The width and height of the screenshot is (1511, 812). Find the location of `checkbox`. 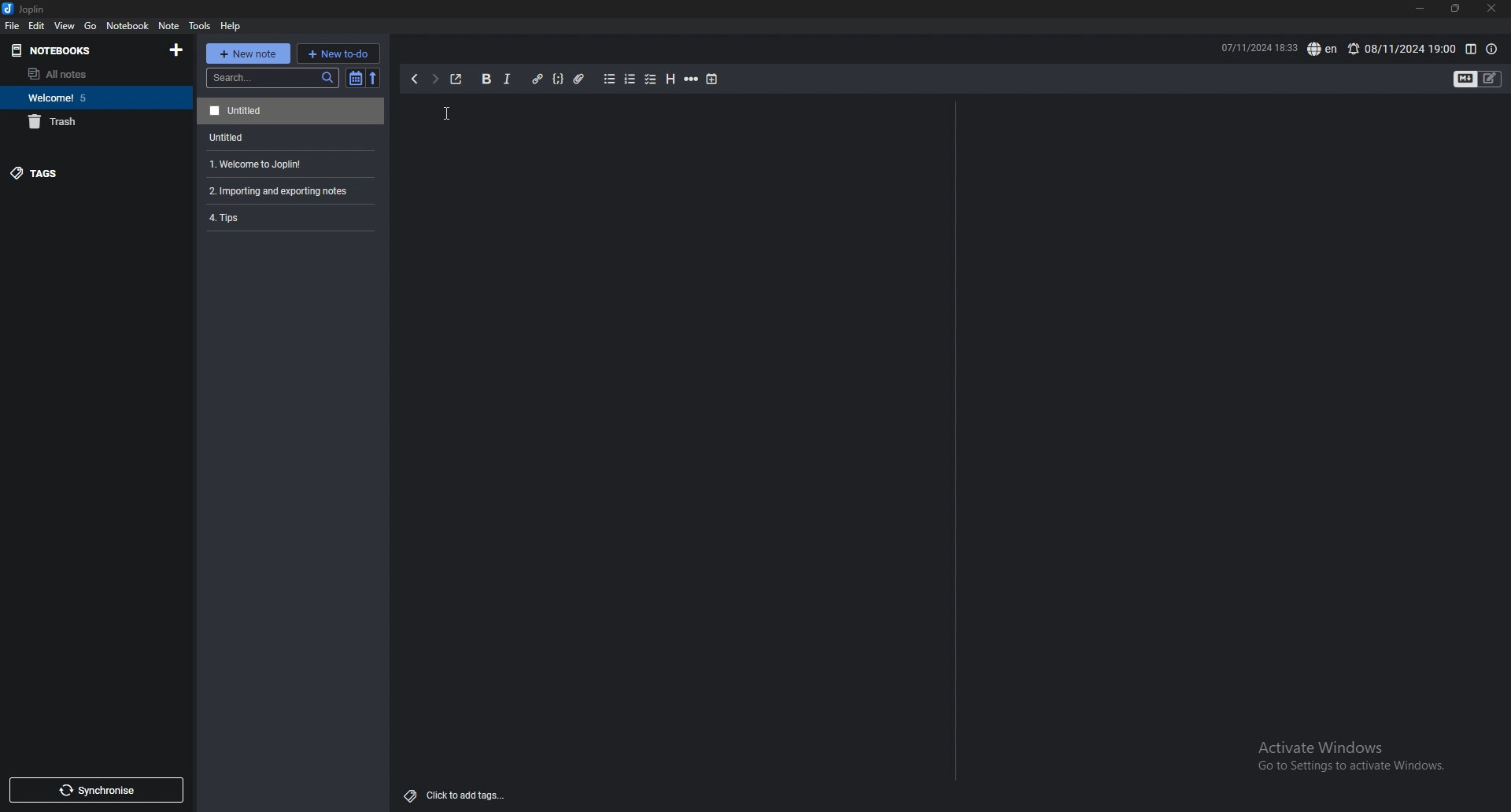

checkbox is located at coordinates (651, 79).